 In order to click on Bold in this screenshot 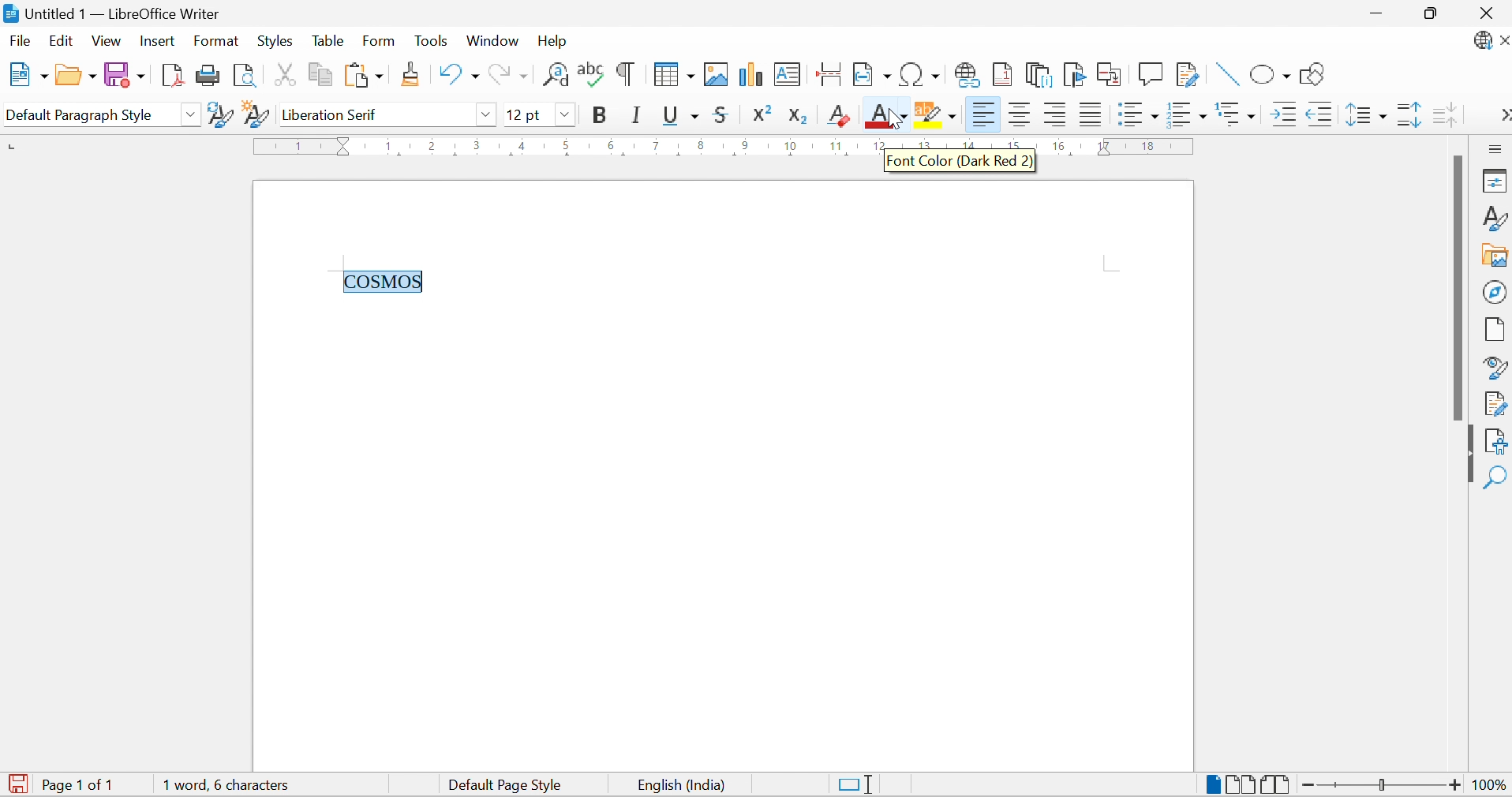, I will do `click(601, 115)`.